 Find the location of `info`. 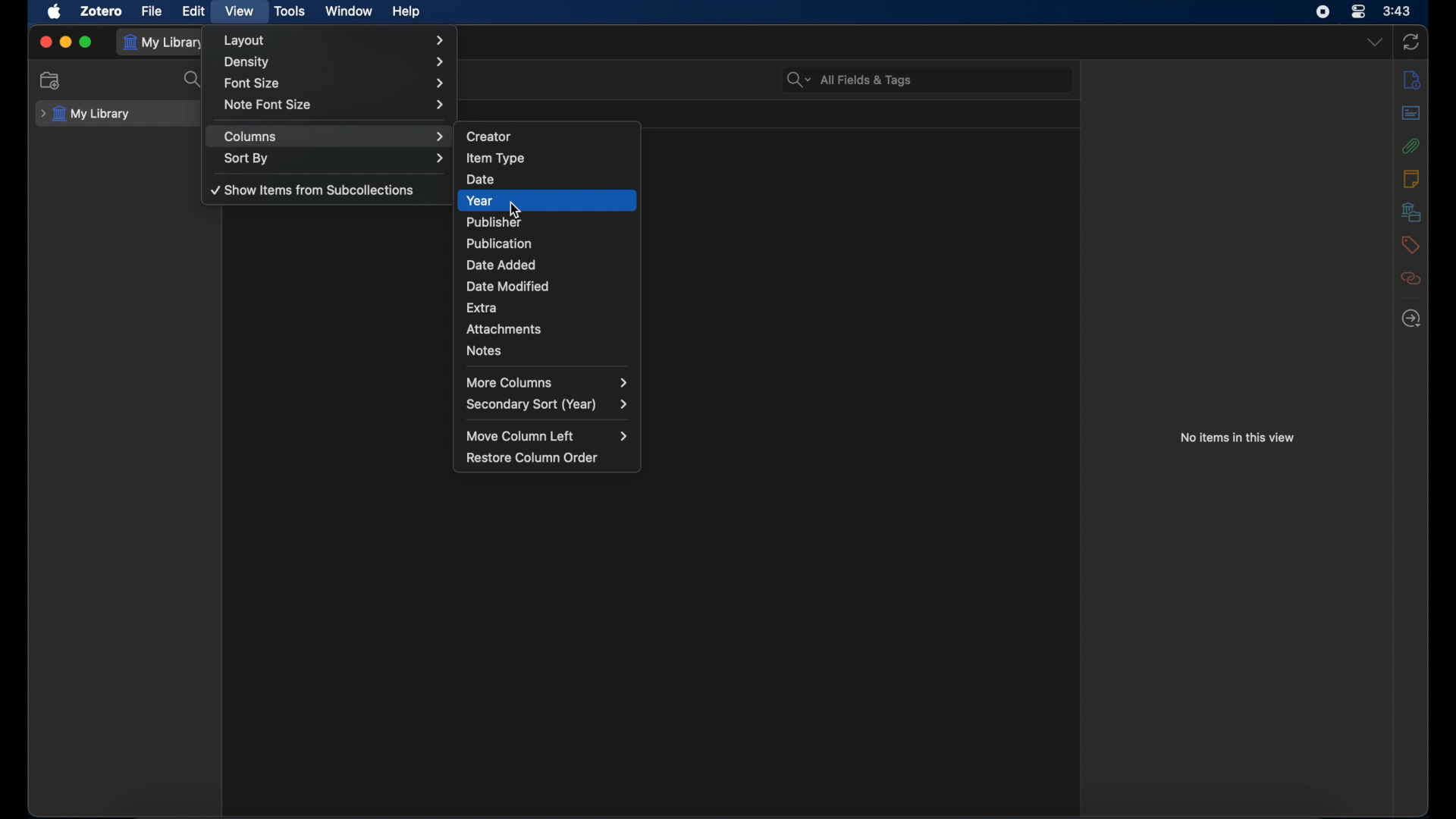

info is located at coordinates (1410, 80).